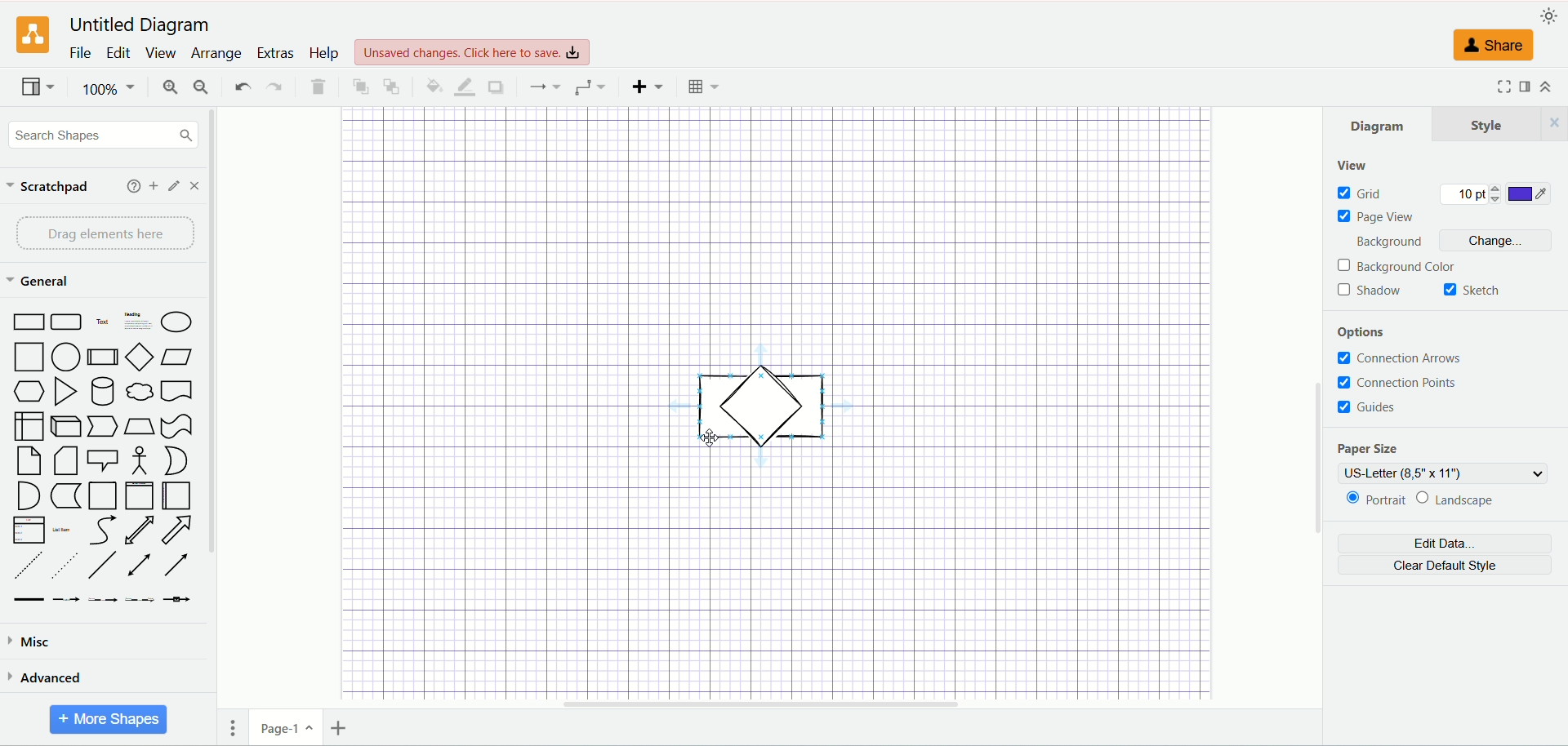 This screenshot has width=1568, height=746. I want to click on to front, so click(362, 85).